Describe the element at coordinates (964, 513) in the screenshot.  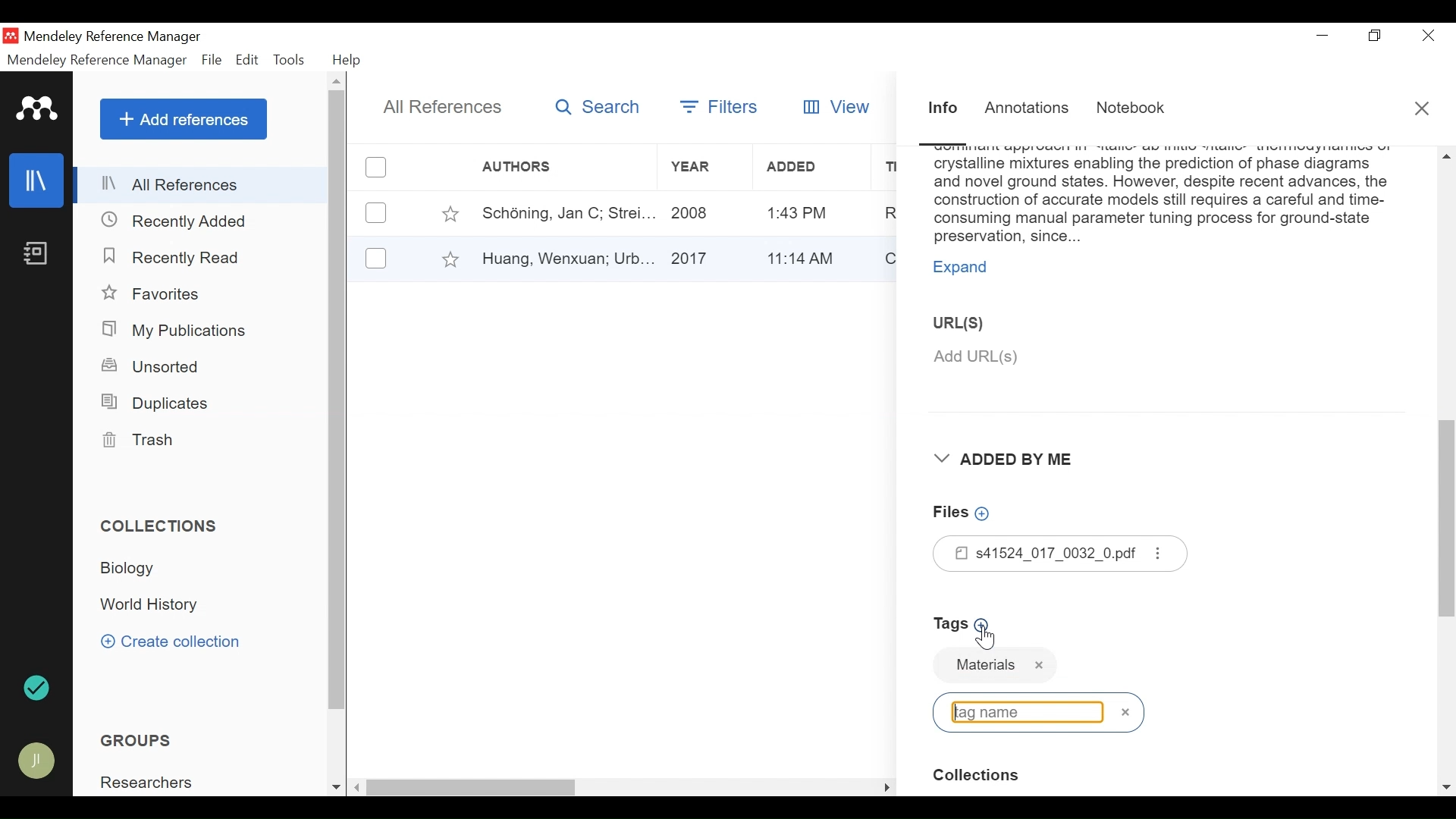
I see `Add Files` at that location.